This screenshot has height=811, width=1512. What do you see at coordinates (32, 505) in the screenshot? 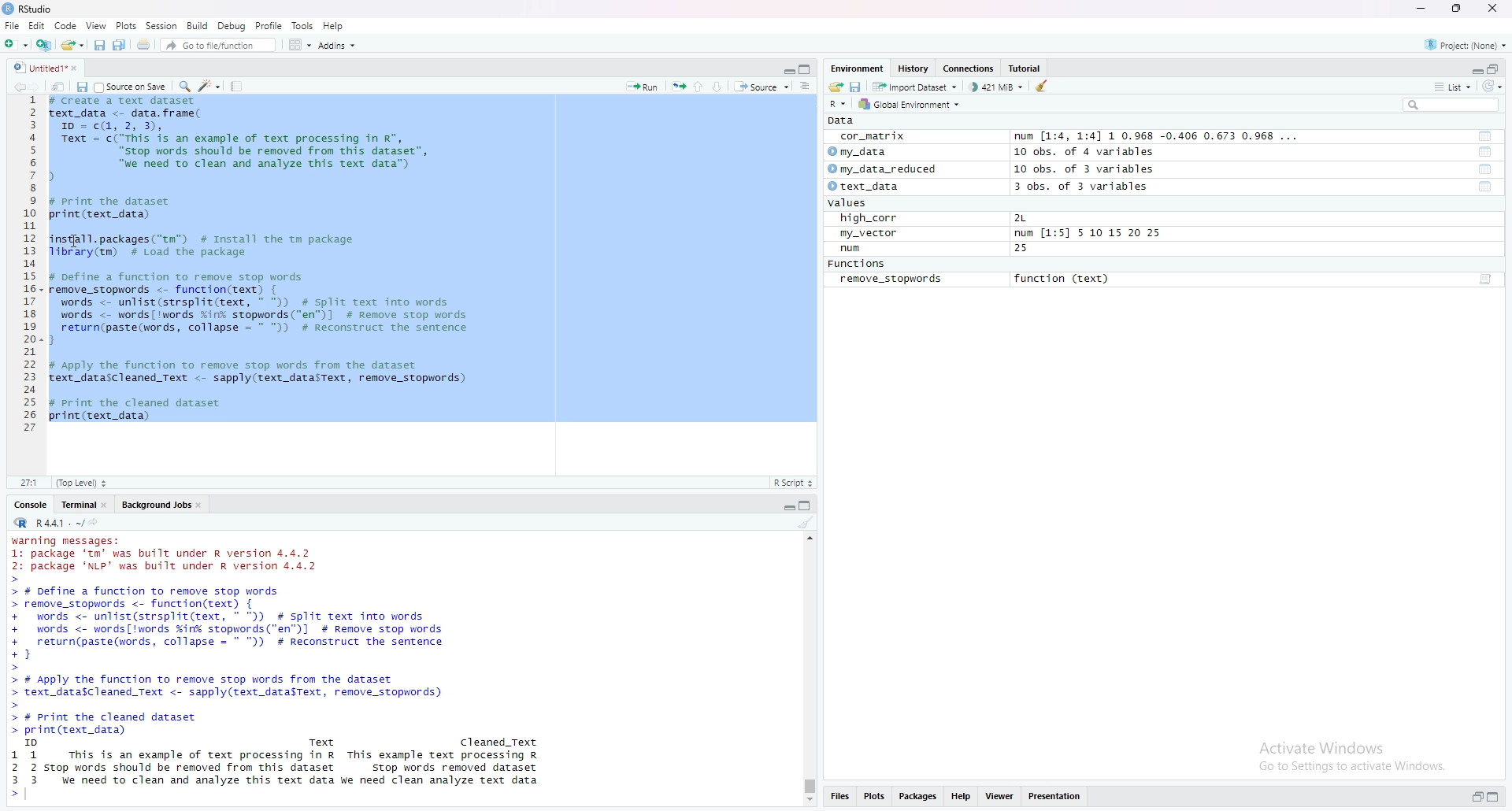
I see `console` at bounding box center [32, 505].